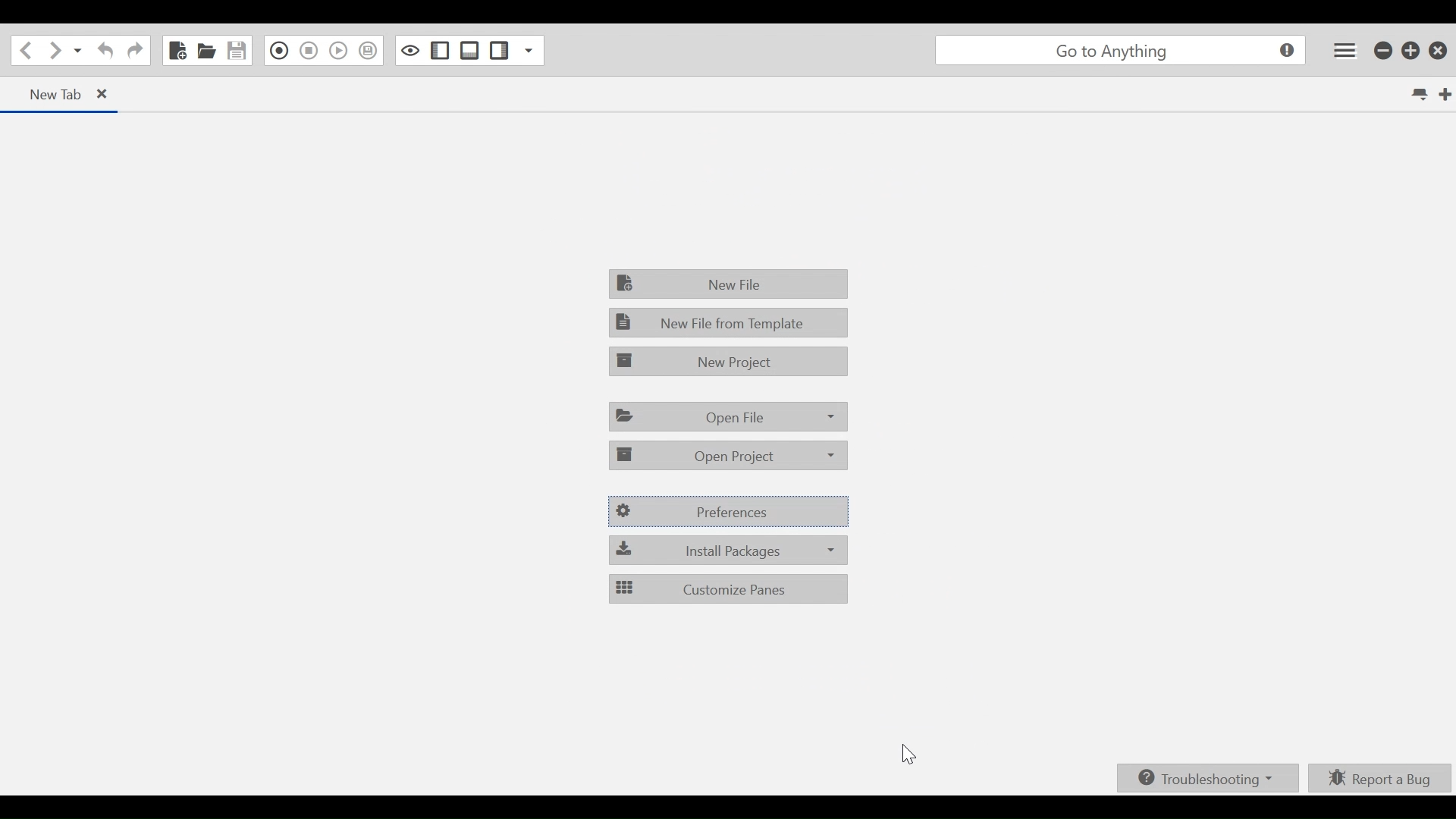 The height and width of the screenshot is (819, 1456). I want to click on Report a Bug, so click(1380, 777).